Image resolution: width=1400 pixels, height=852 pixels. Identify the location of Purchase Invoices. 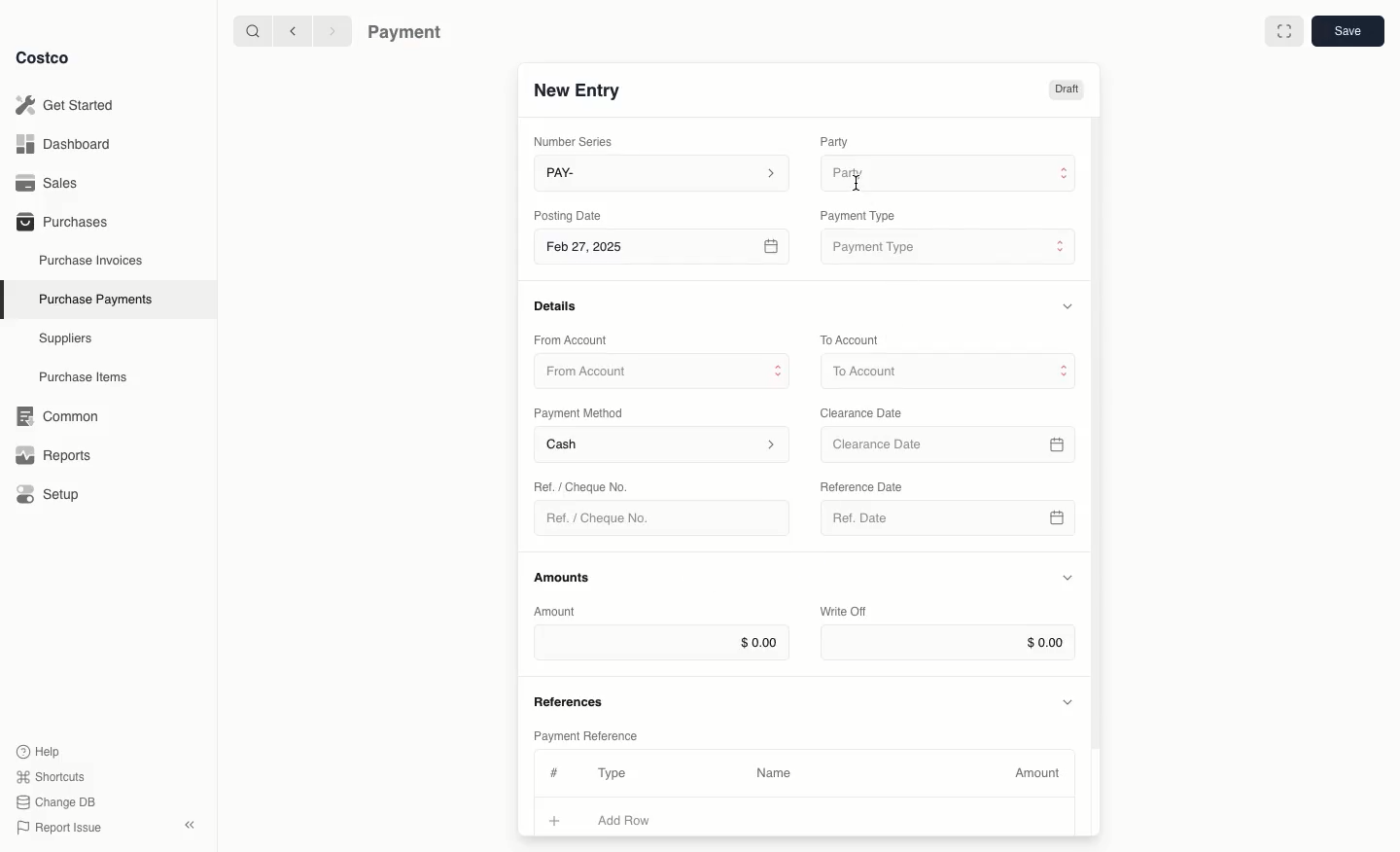
(92, 260).